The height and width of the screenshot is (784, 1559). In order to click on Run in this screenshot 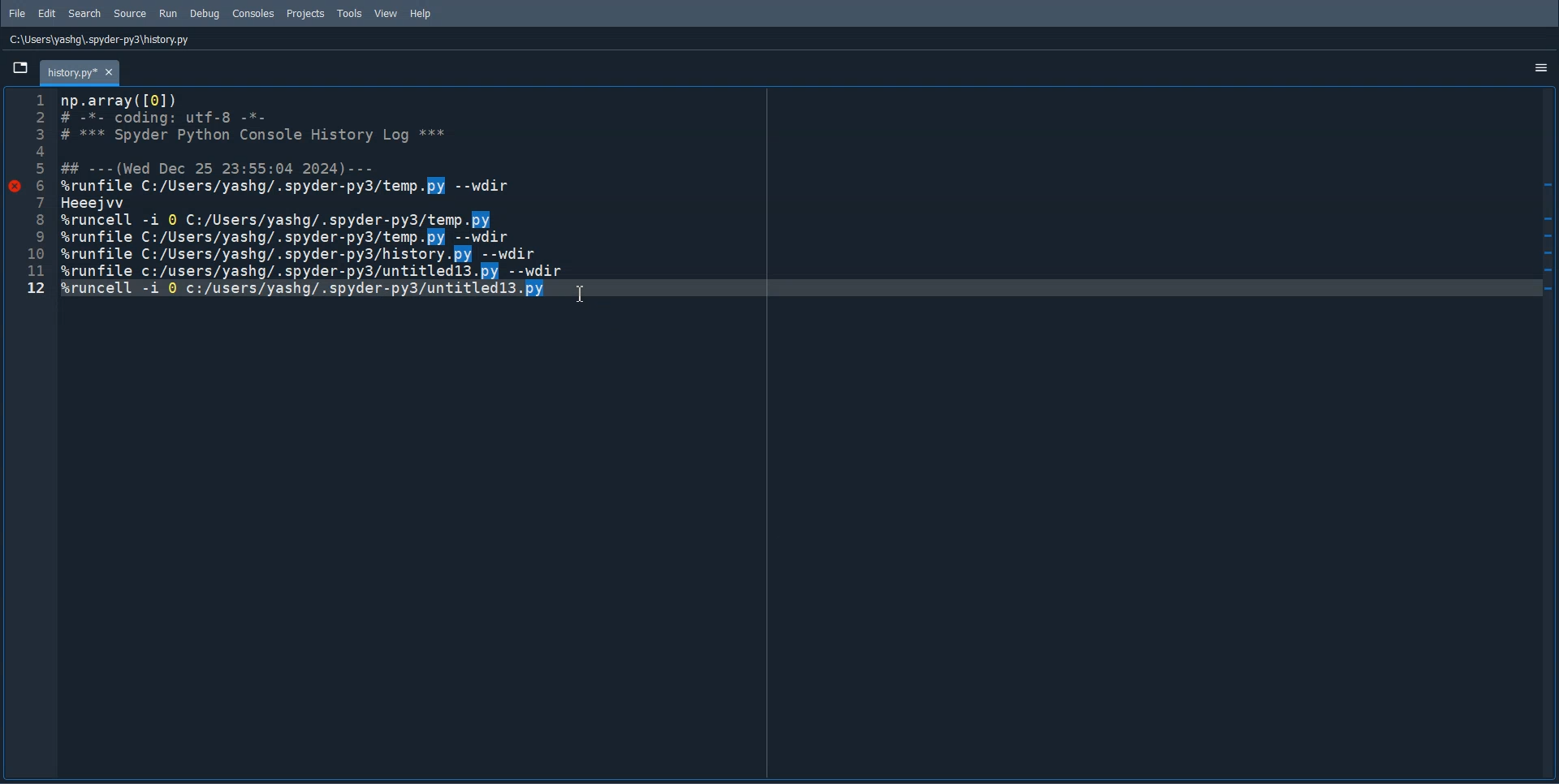, I will do `click(168, 14)`.